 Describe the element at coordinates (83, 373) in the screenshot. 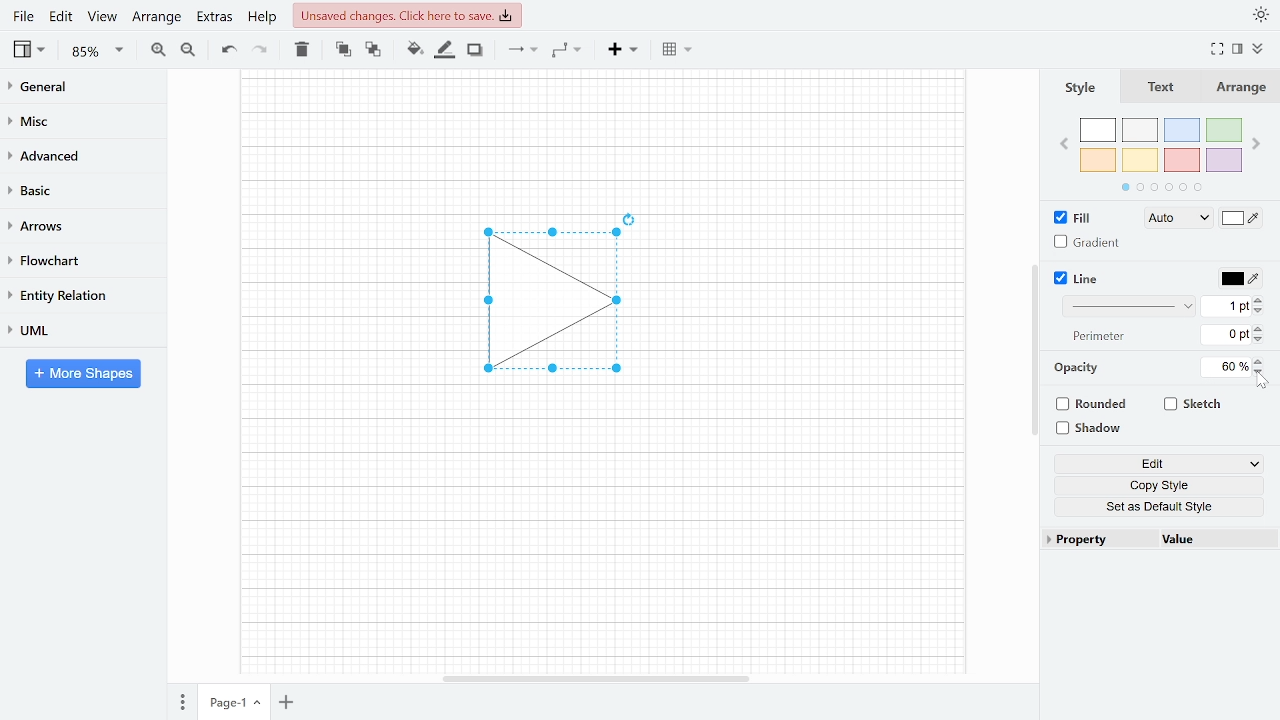

I see `More shapes` at that location.